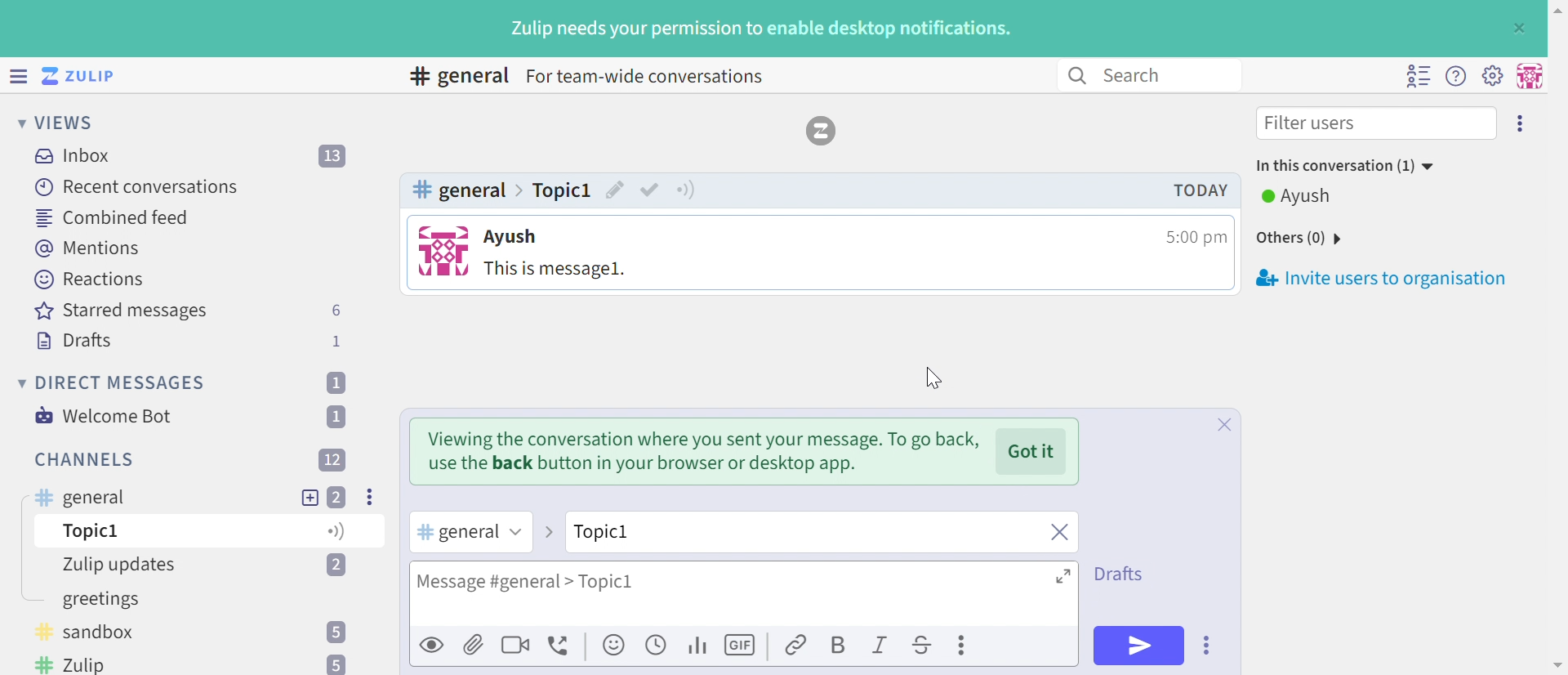 This screenshot has width=1568, height=675. I want to click on Create a channel, so click(118, 601).